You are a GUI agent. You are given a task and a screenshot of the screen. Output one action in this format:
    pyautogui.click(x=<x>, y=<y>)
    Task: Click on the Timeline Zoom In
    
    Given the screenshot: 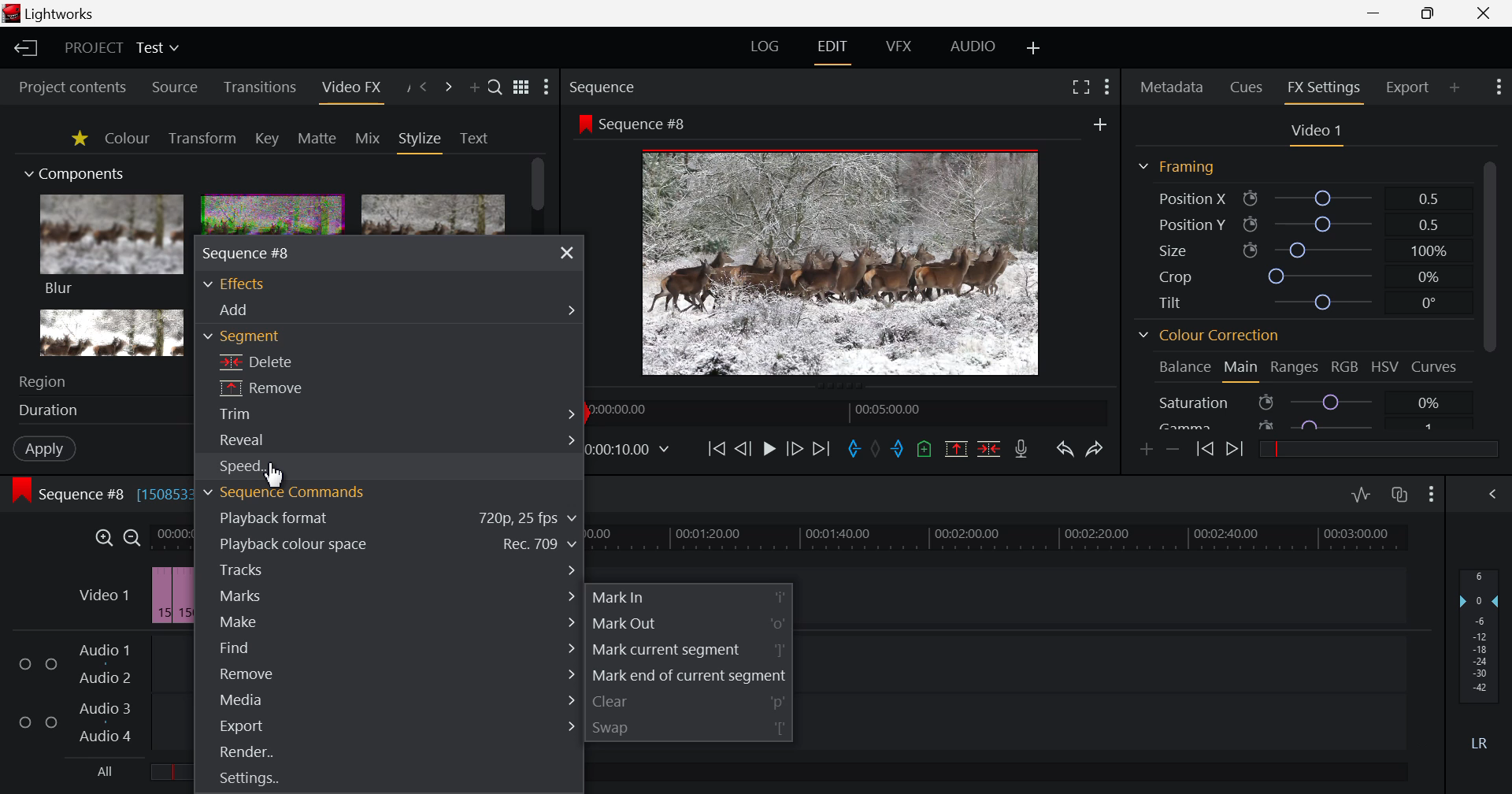 What is the action you would take?
    pyautogui.click(x=102, y=538)
    